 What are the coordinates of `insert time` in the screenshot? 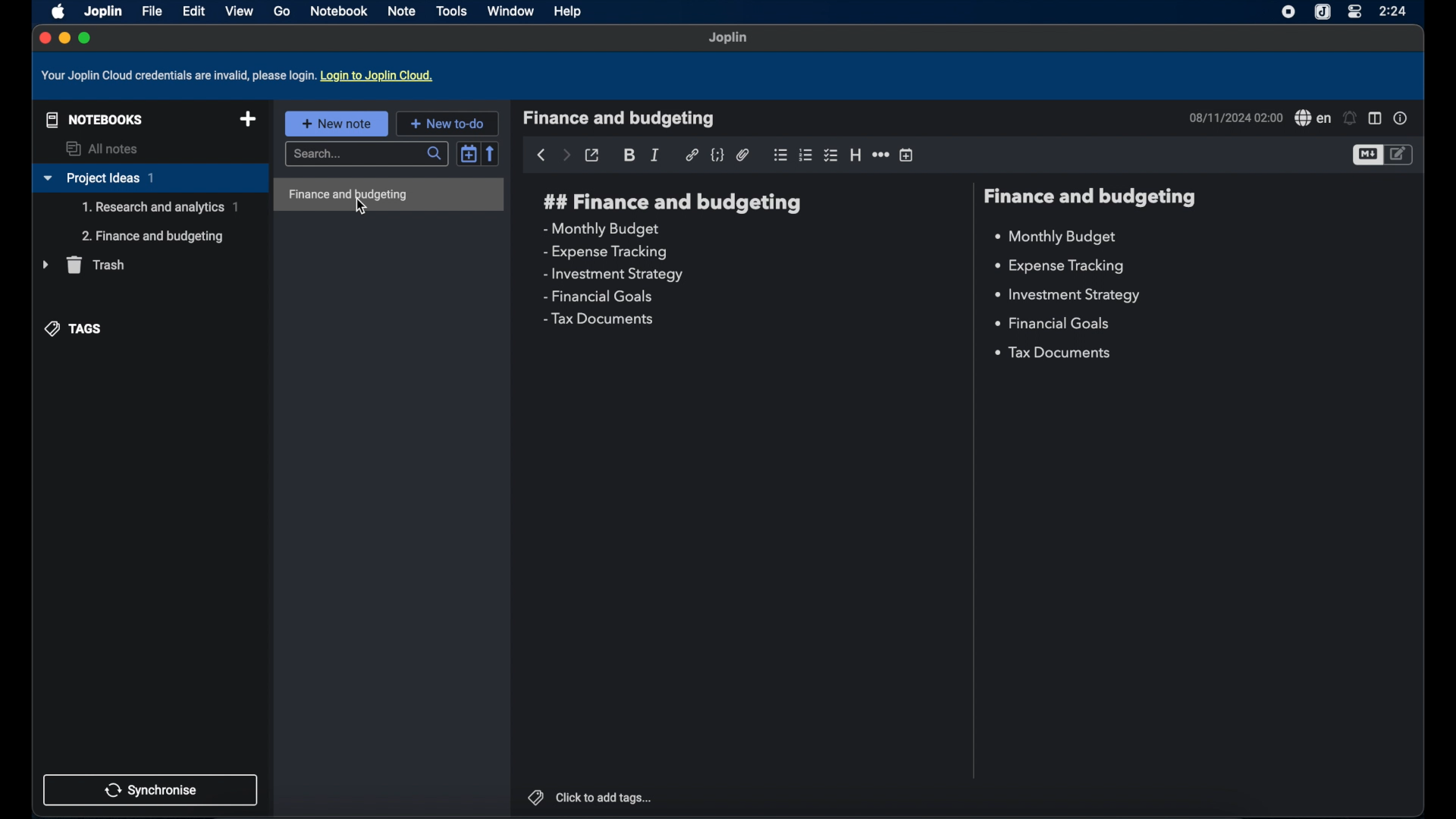 It's located at (908, 155).